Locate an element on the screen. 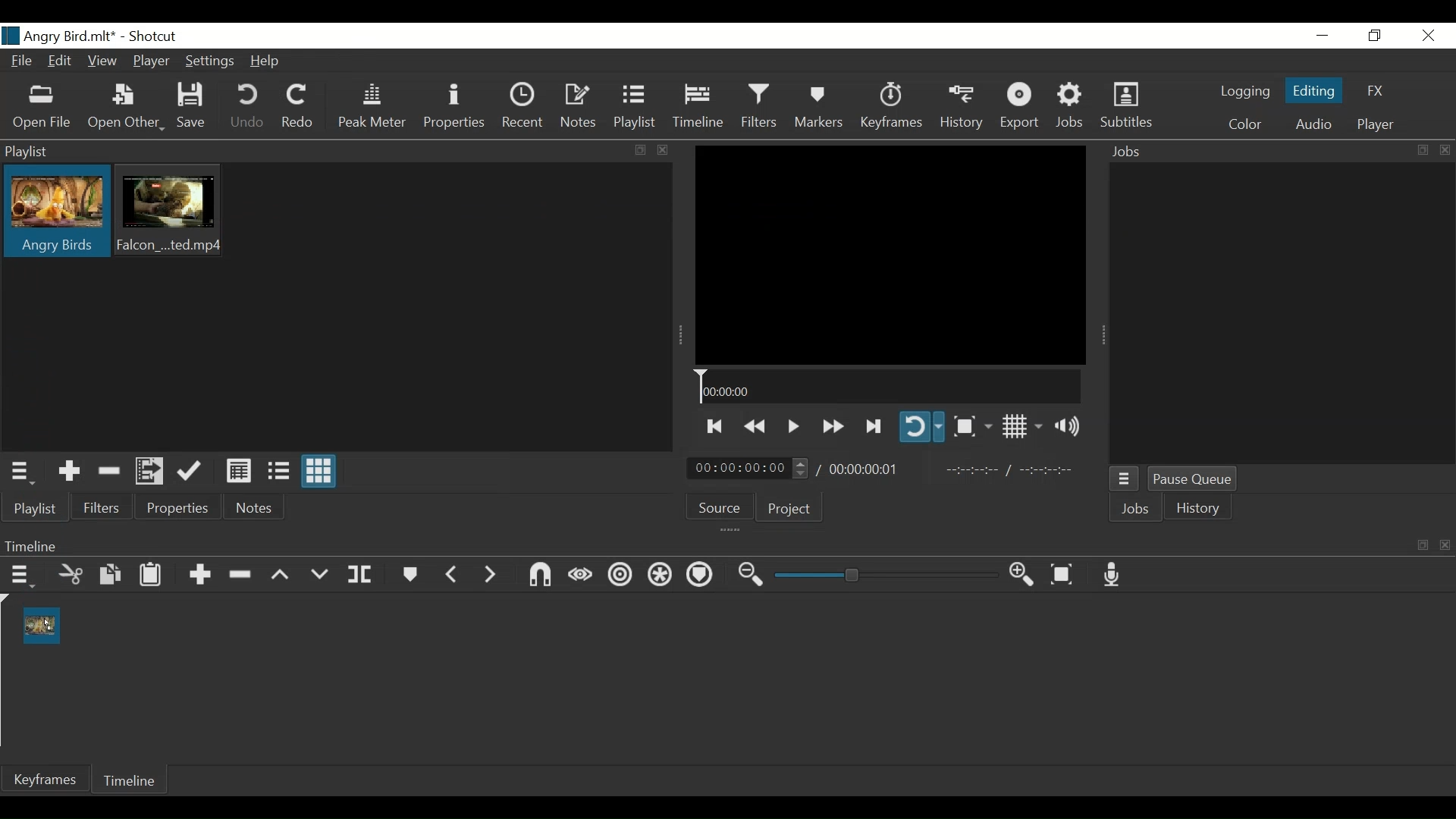 The height and width of the screenshot is (819, 1456). Playlist  is located at coordinates (34, 508).